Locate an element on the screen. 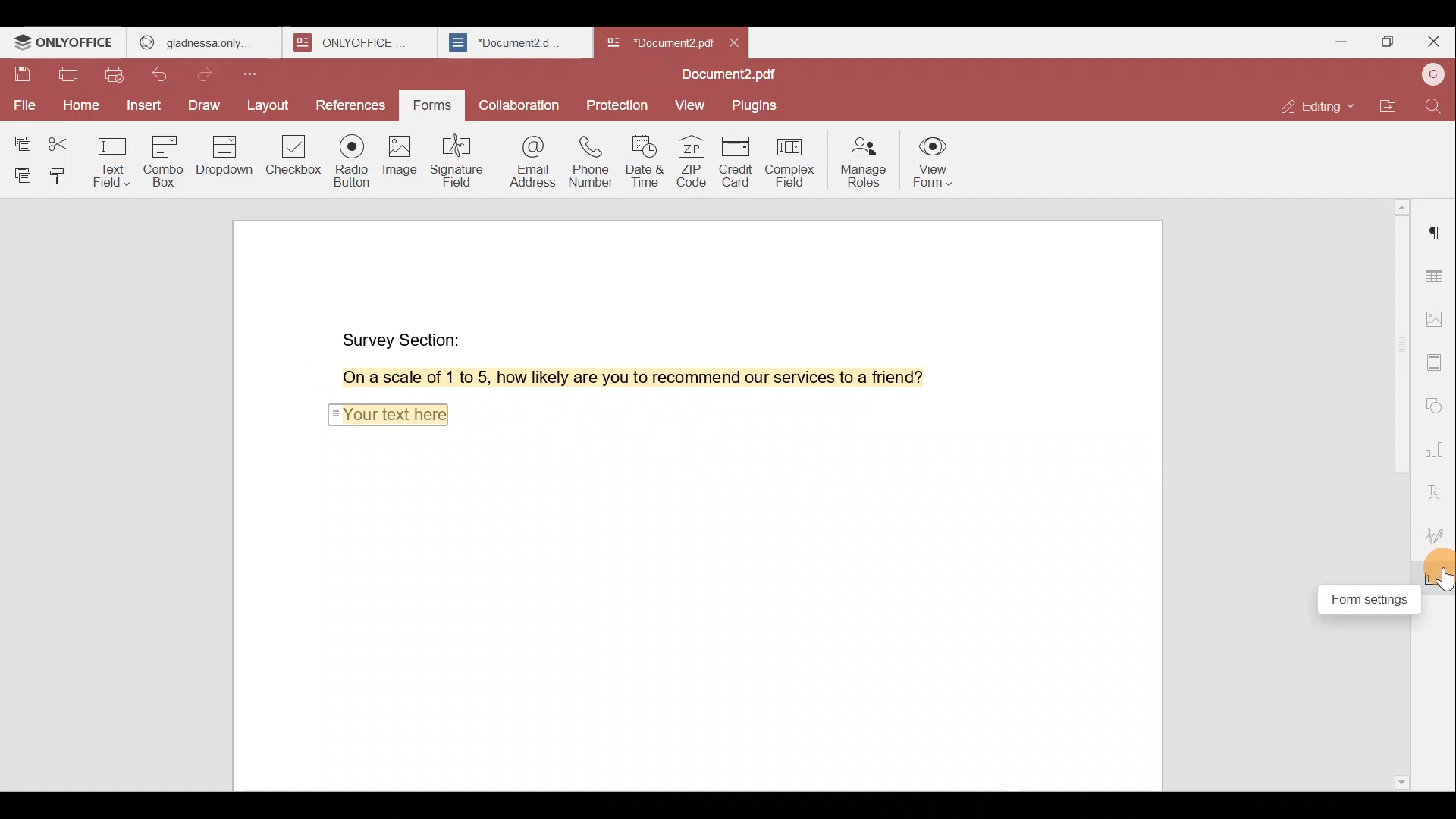 This screenshot has height=819, width=1456. Redo is located at coordinates (209, 75).